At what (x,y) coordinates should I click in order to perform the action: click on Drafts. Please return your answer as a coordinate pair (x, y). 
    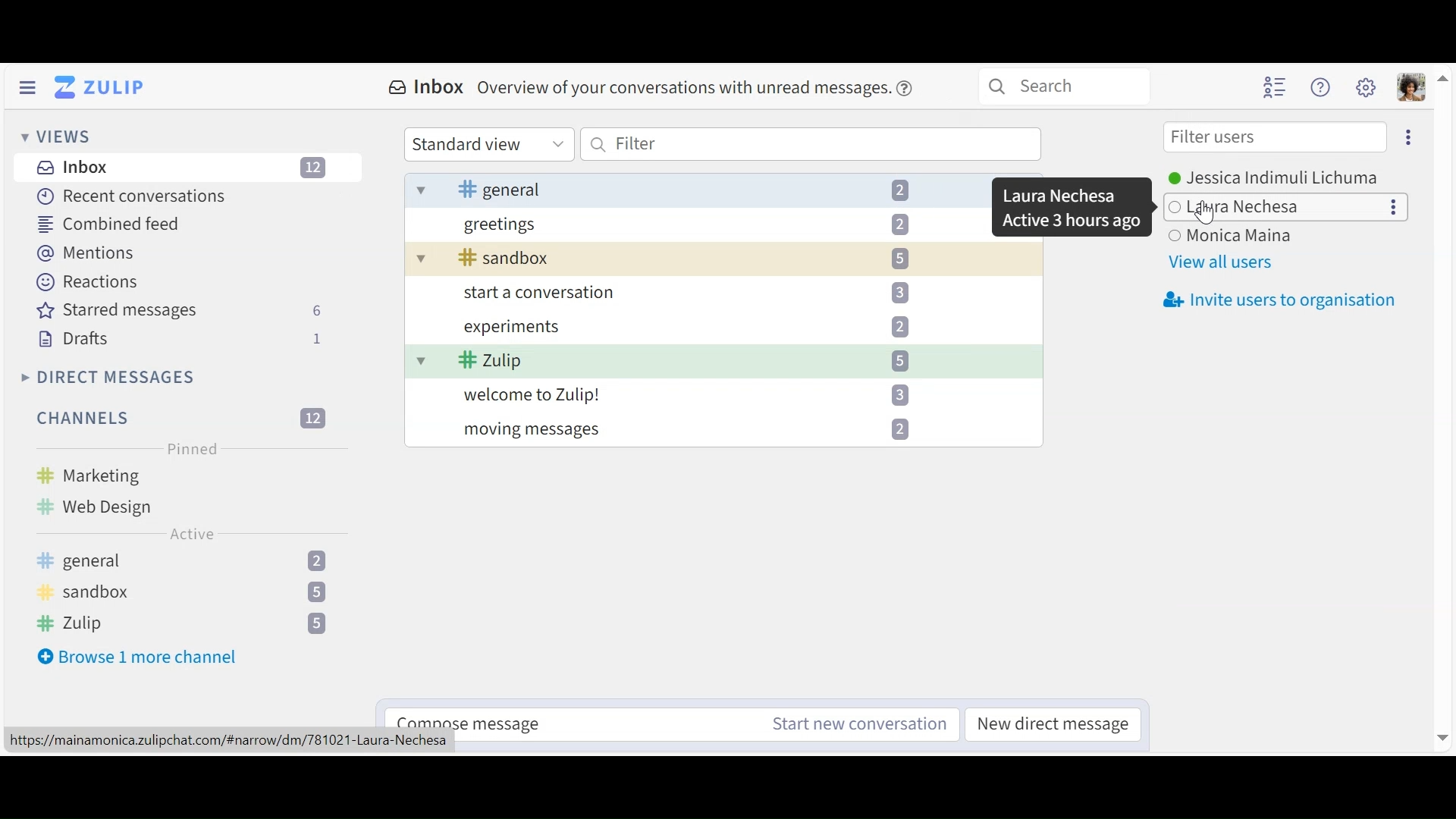
    Looking at the image, I should click on (179, 337).